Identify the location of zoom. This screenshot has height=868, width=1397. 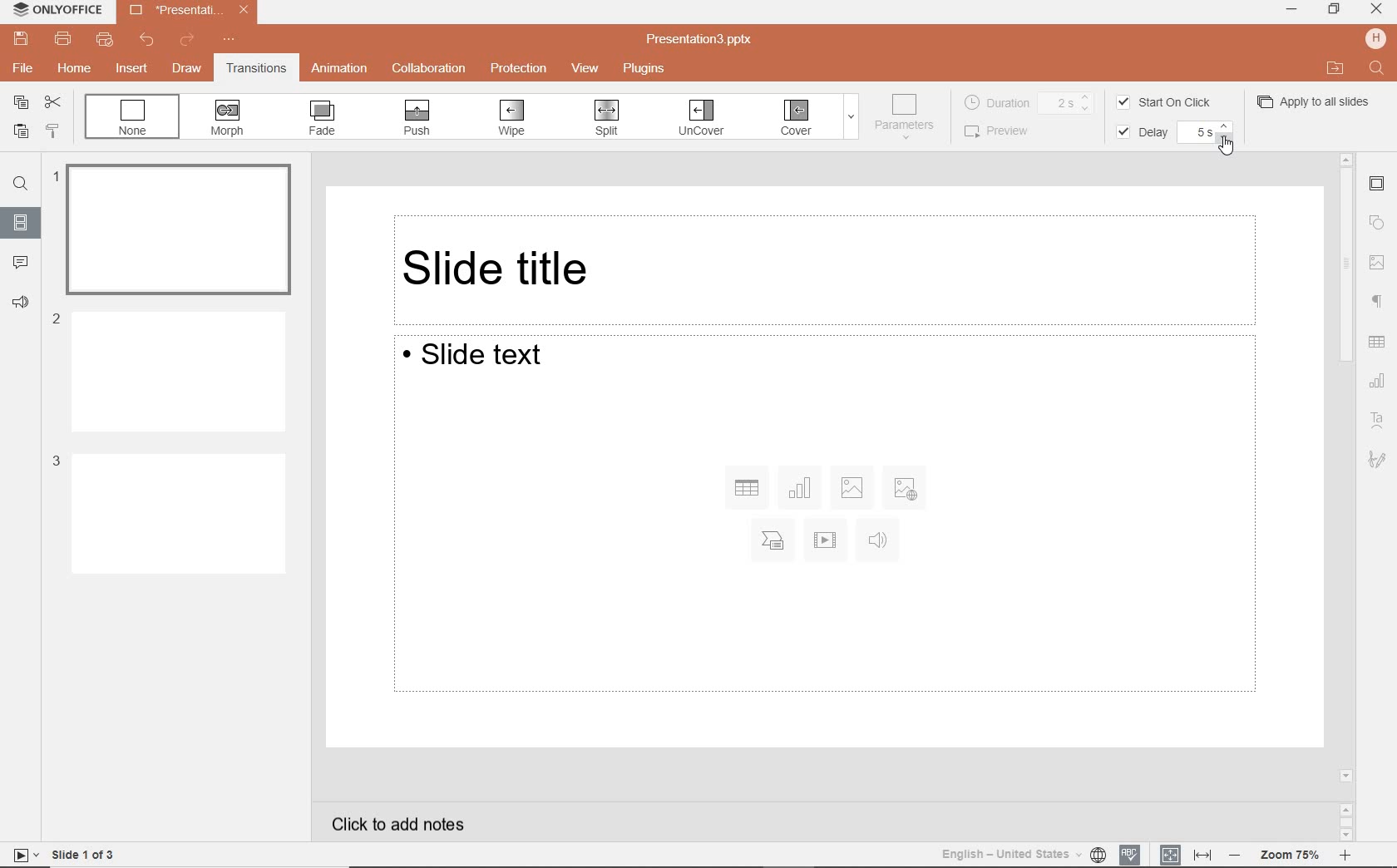
(1291, 854).